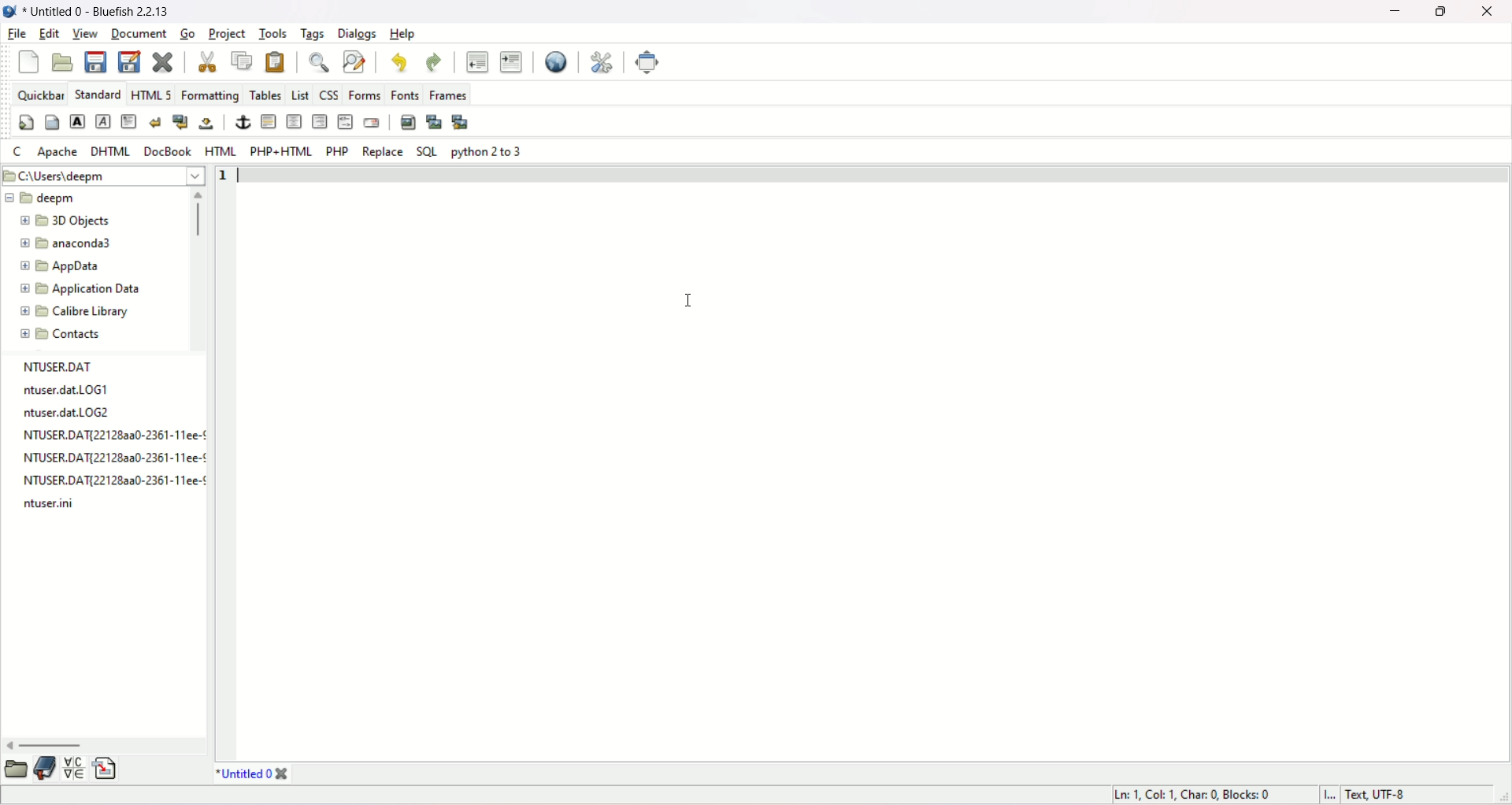  I want to click on break, so click(157, 120).